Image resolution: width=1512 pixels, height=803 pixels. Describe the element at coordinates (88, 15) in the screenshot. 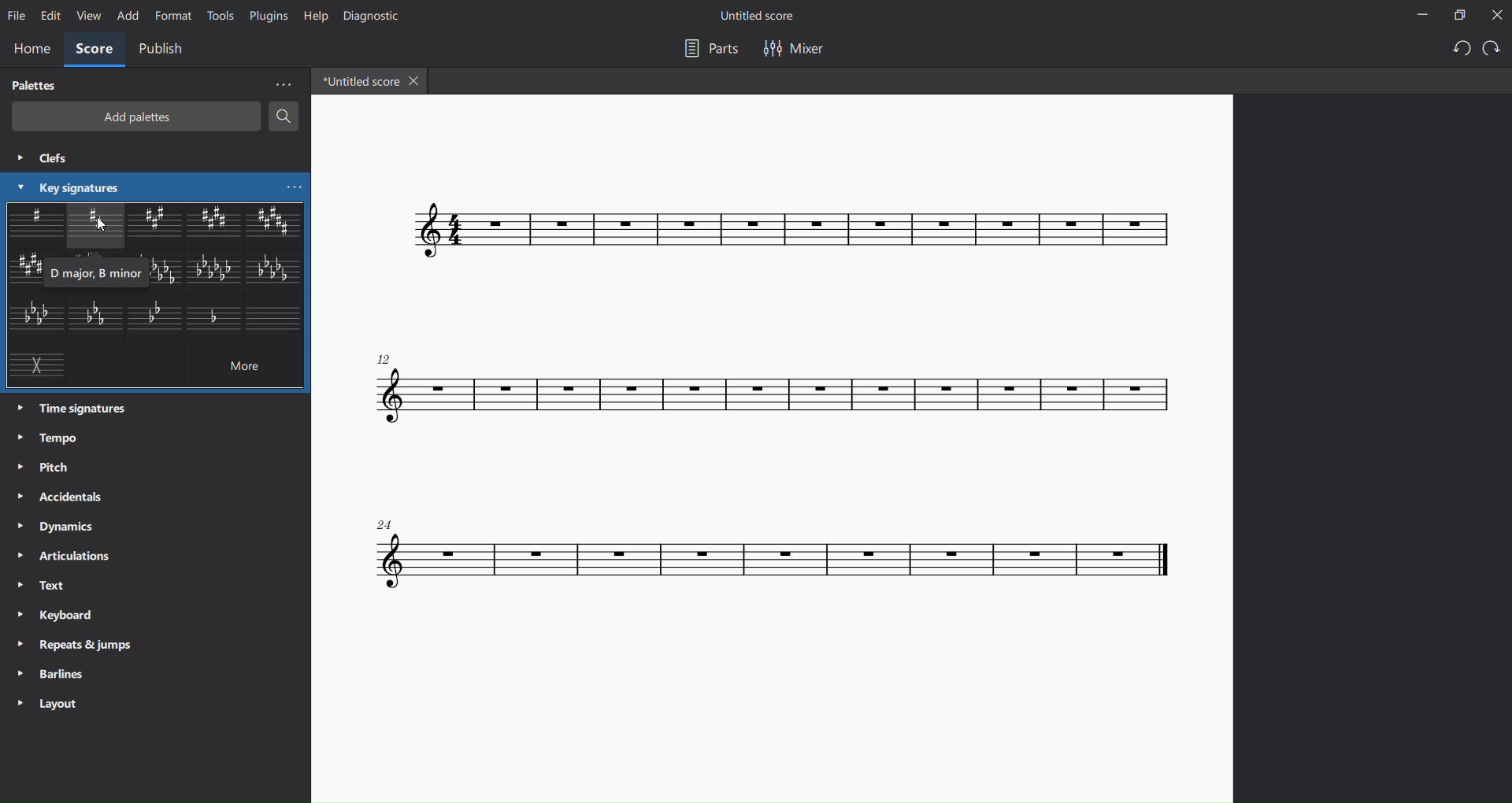

I see `view` at that location.